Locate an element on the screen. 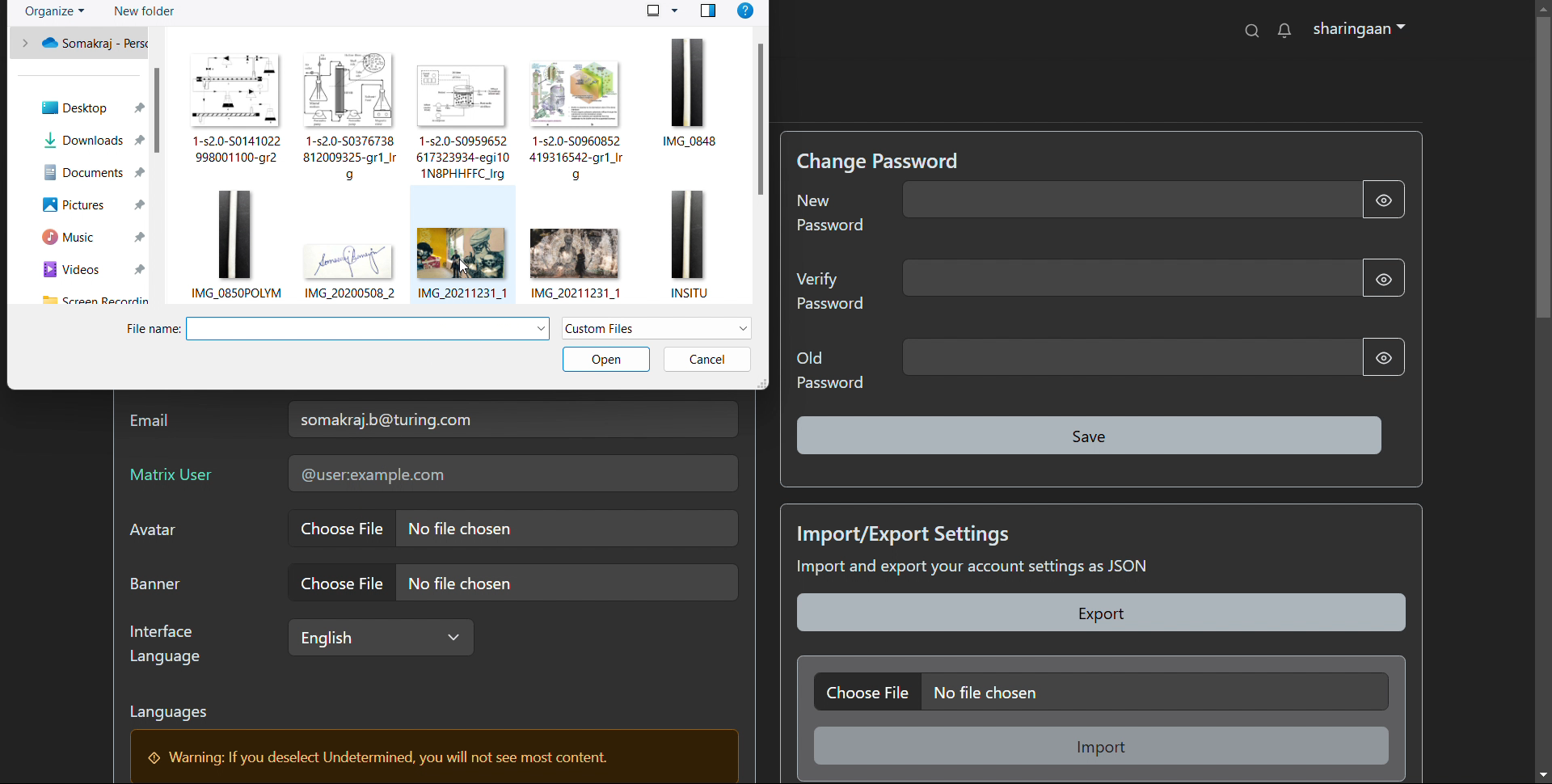 The width and height of the screenshot is (1552, 784). old
Password is located at coordinates (829, 369).